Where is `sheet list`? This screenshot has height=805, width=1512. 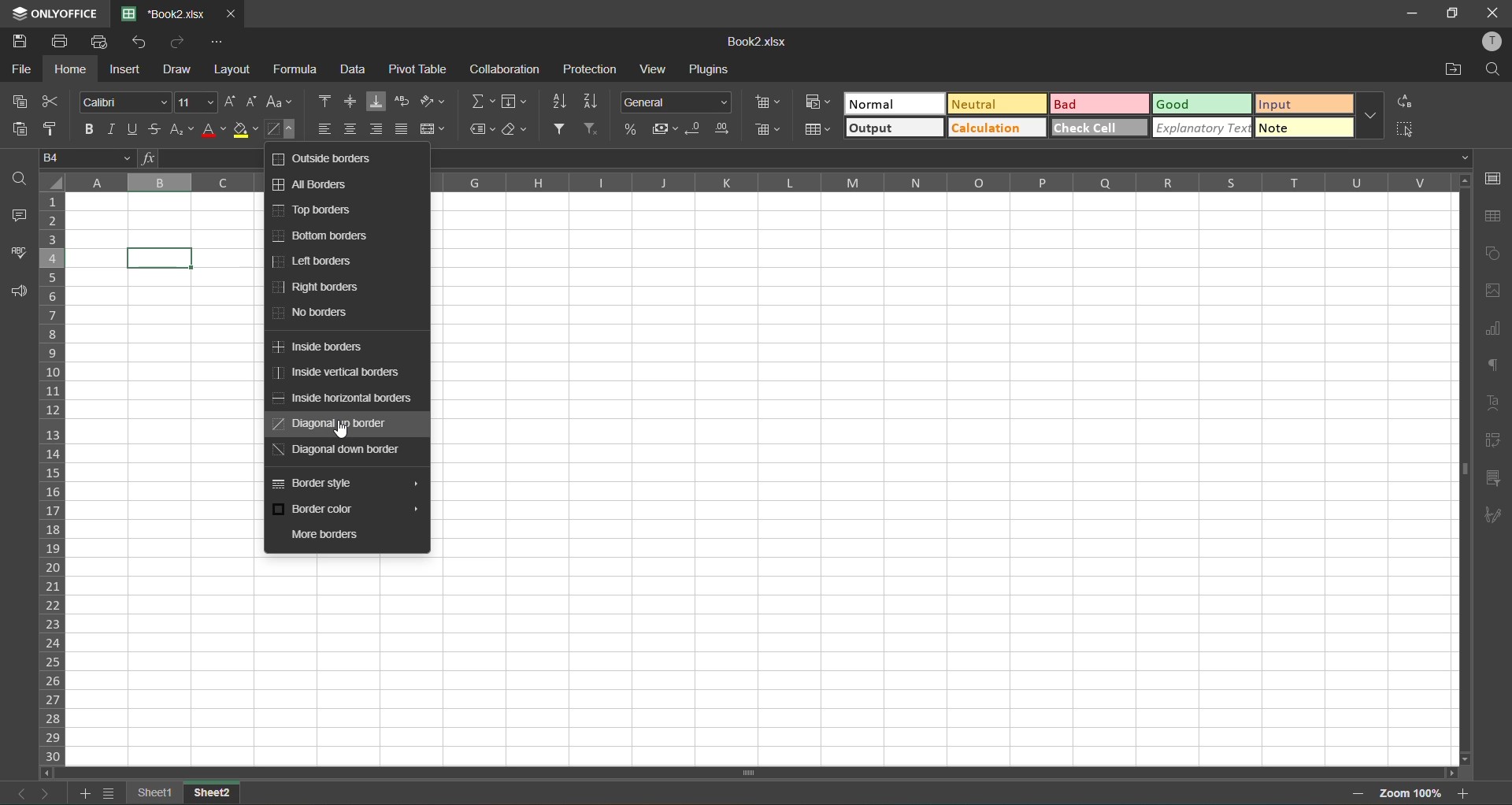 sheet list is located at coordinates (109, 794).